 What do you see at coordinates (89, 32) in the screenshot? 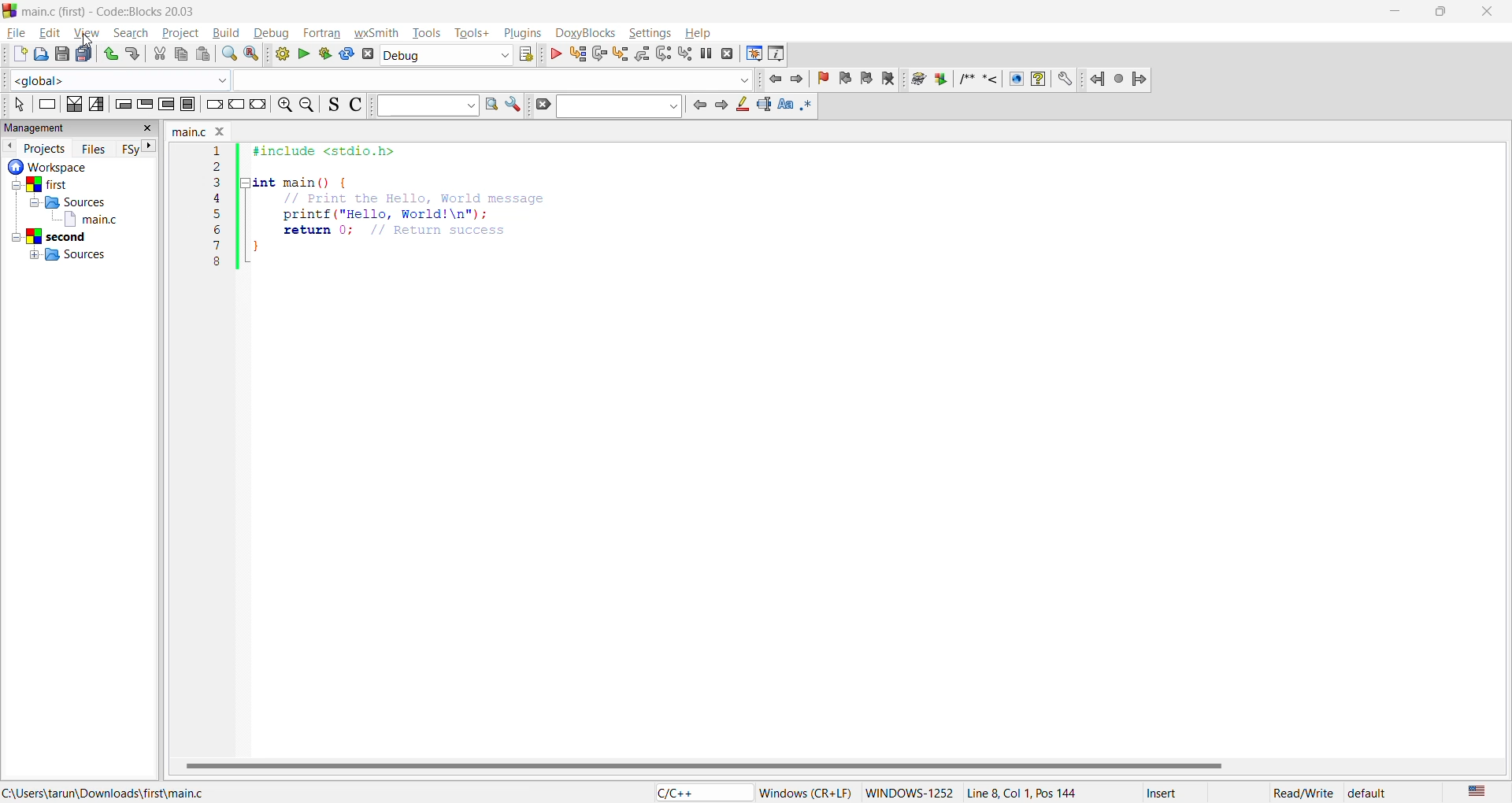
I see `view` at bounding box center [89, 32].